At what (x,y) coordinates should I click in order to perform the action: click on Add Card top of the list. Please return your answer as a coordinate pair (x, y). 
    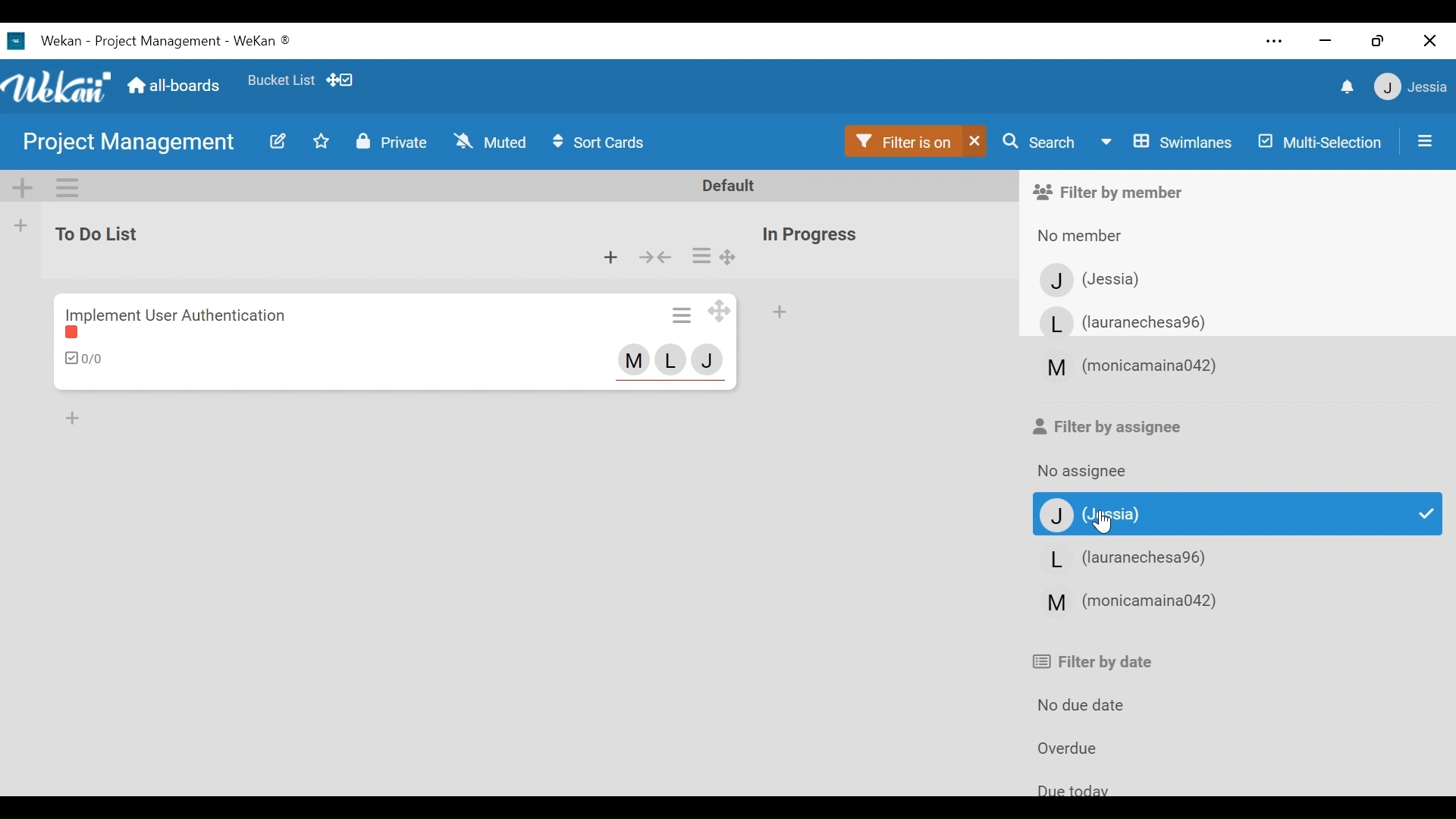
    Looking at the image, I should click on (779, 313).